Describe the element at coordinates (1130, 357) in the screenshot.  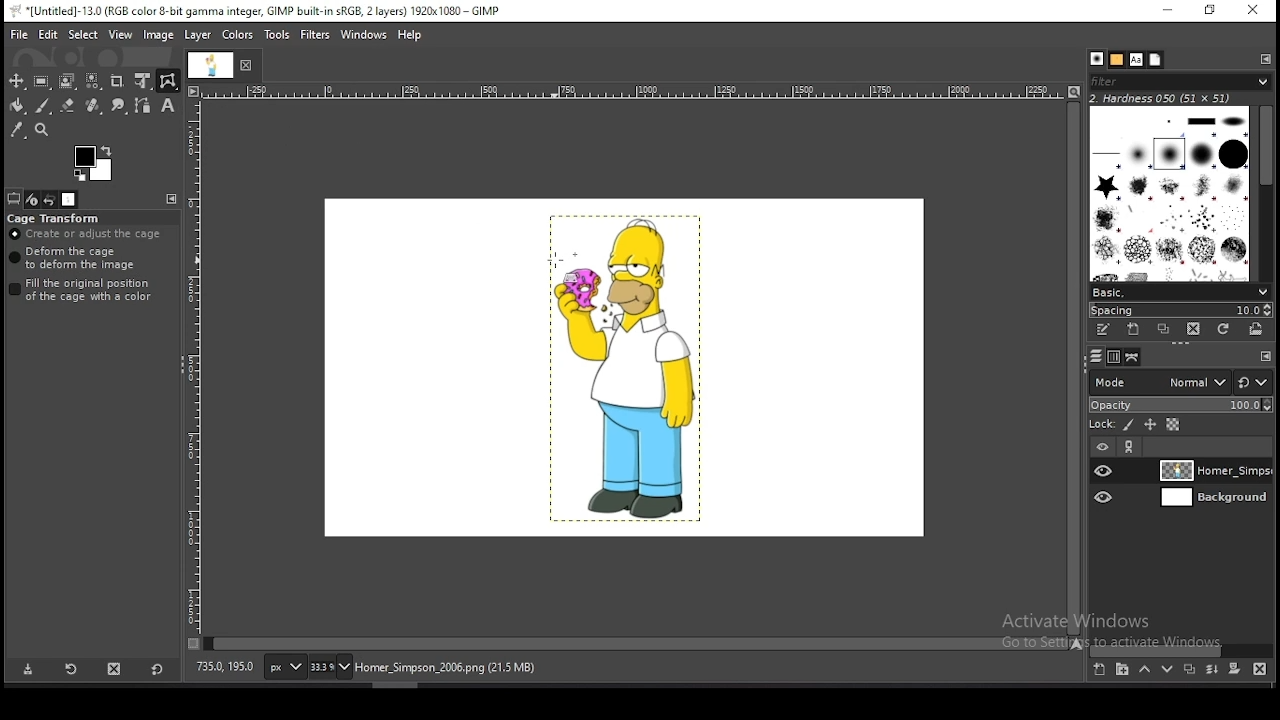
I see `paths` at that location.